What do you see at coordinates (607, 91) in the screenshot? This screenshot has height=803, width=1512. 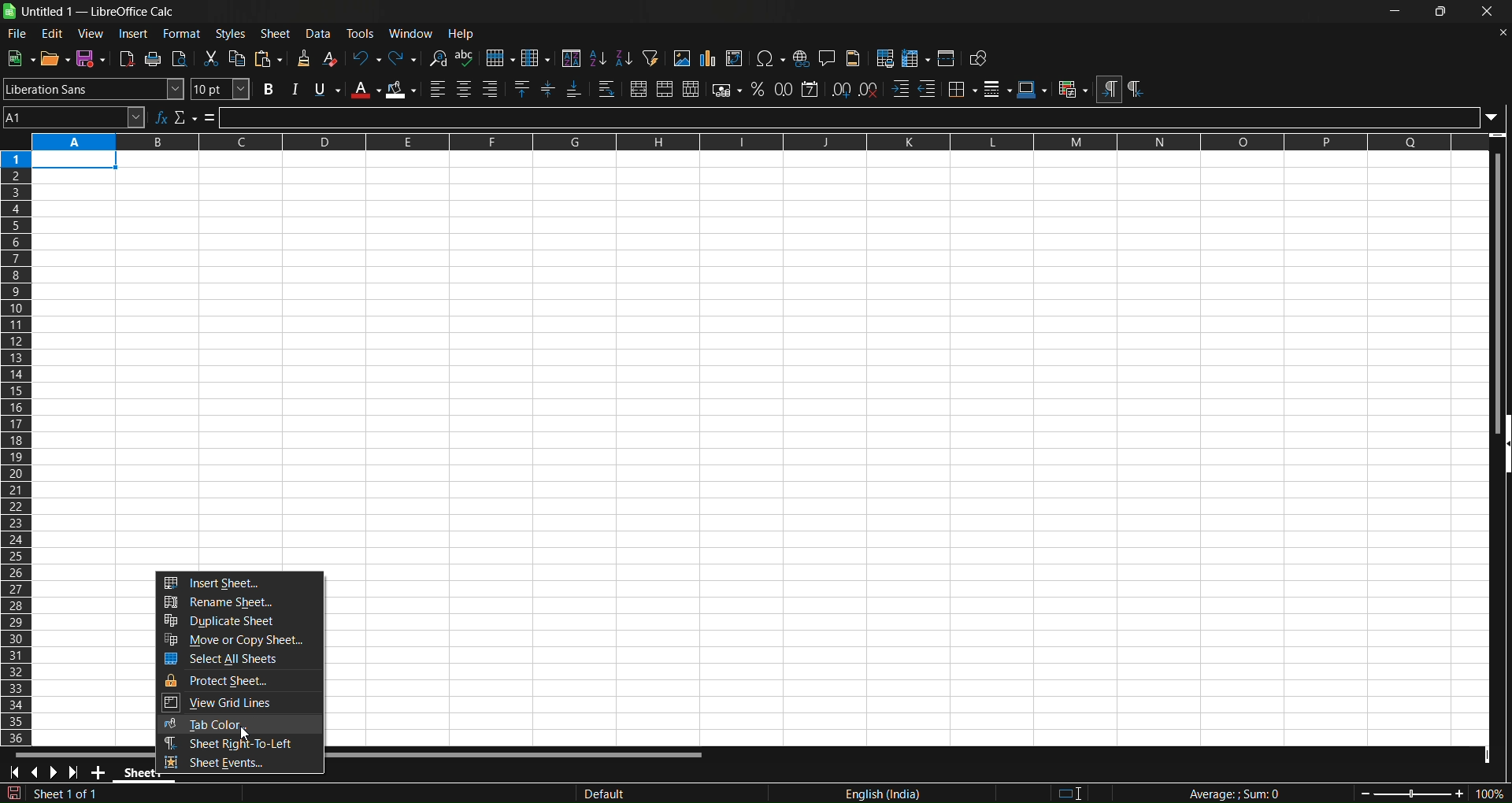 I see `wrap text` at bounding box center [607, 91].